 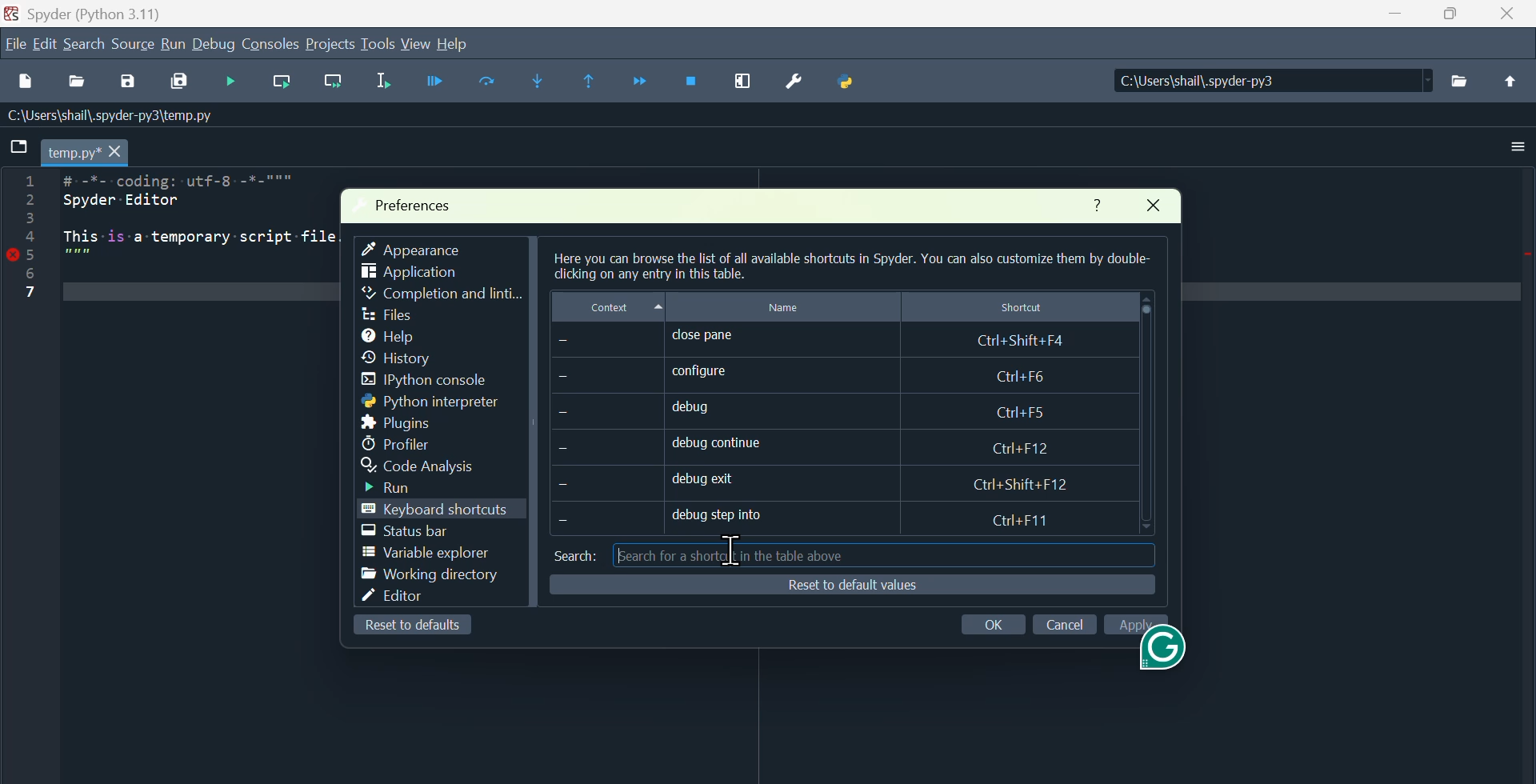 What do you see at coordinates (430, 575) in the screenshot?
I see `Working directory` at bounding box center [430, 575].